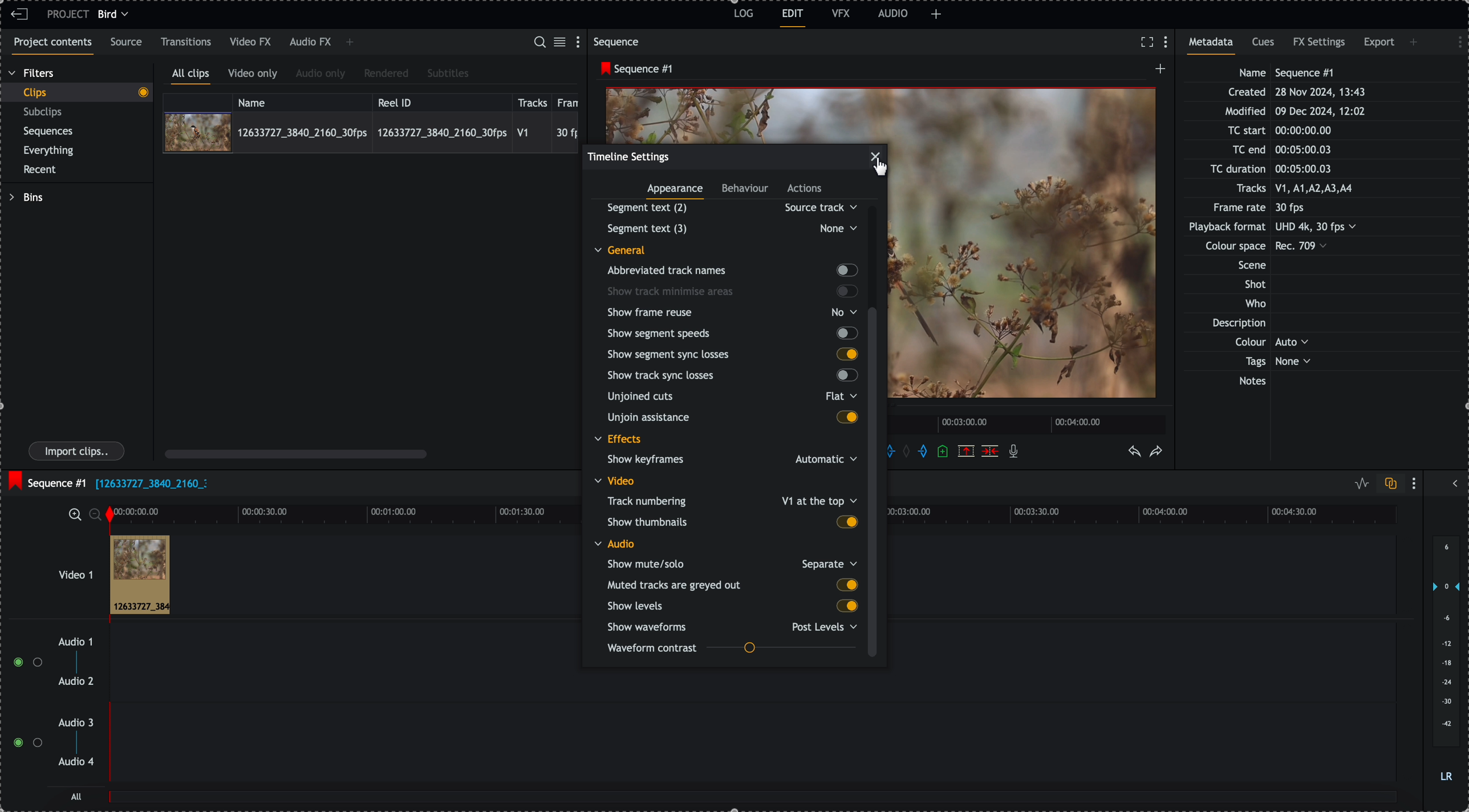 This screenshot has height=812, width=1469. What do you see at coordinates (33, 74) in the screenshot?
I see `filters` at bounding box center [33, 74].